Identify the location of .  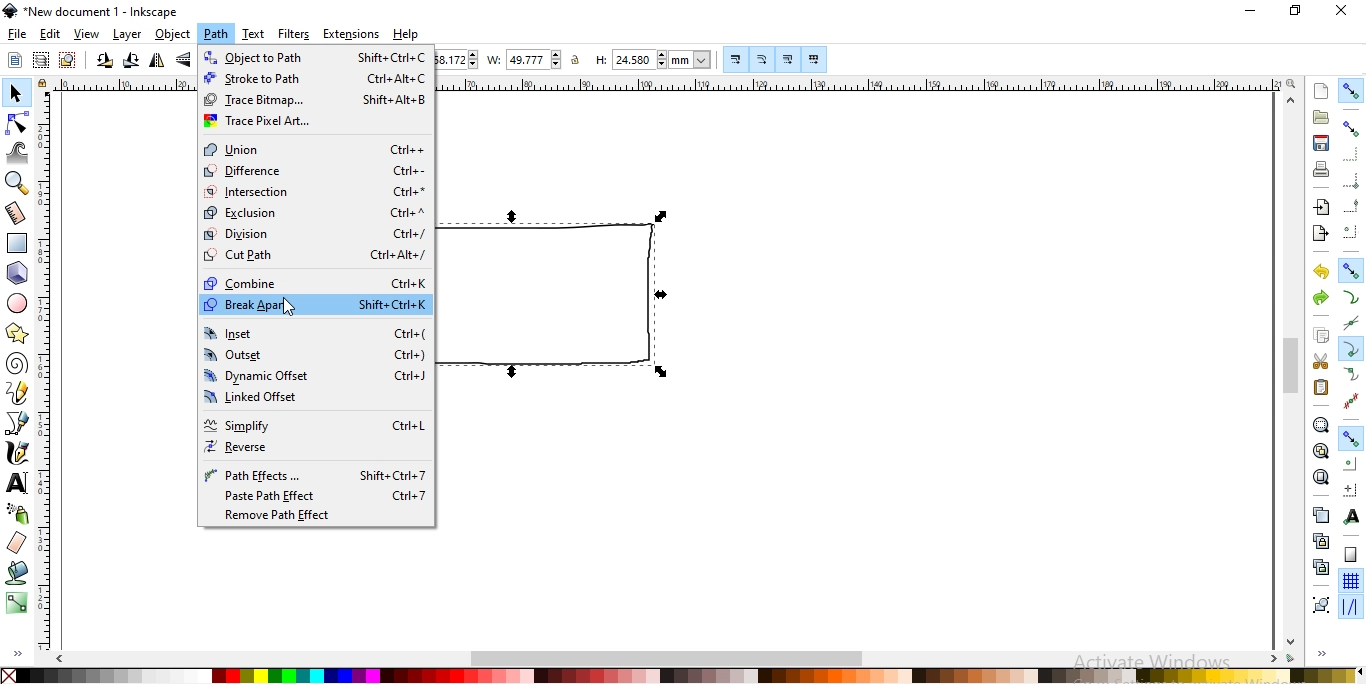
(1352, 437).